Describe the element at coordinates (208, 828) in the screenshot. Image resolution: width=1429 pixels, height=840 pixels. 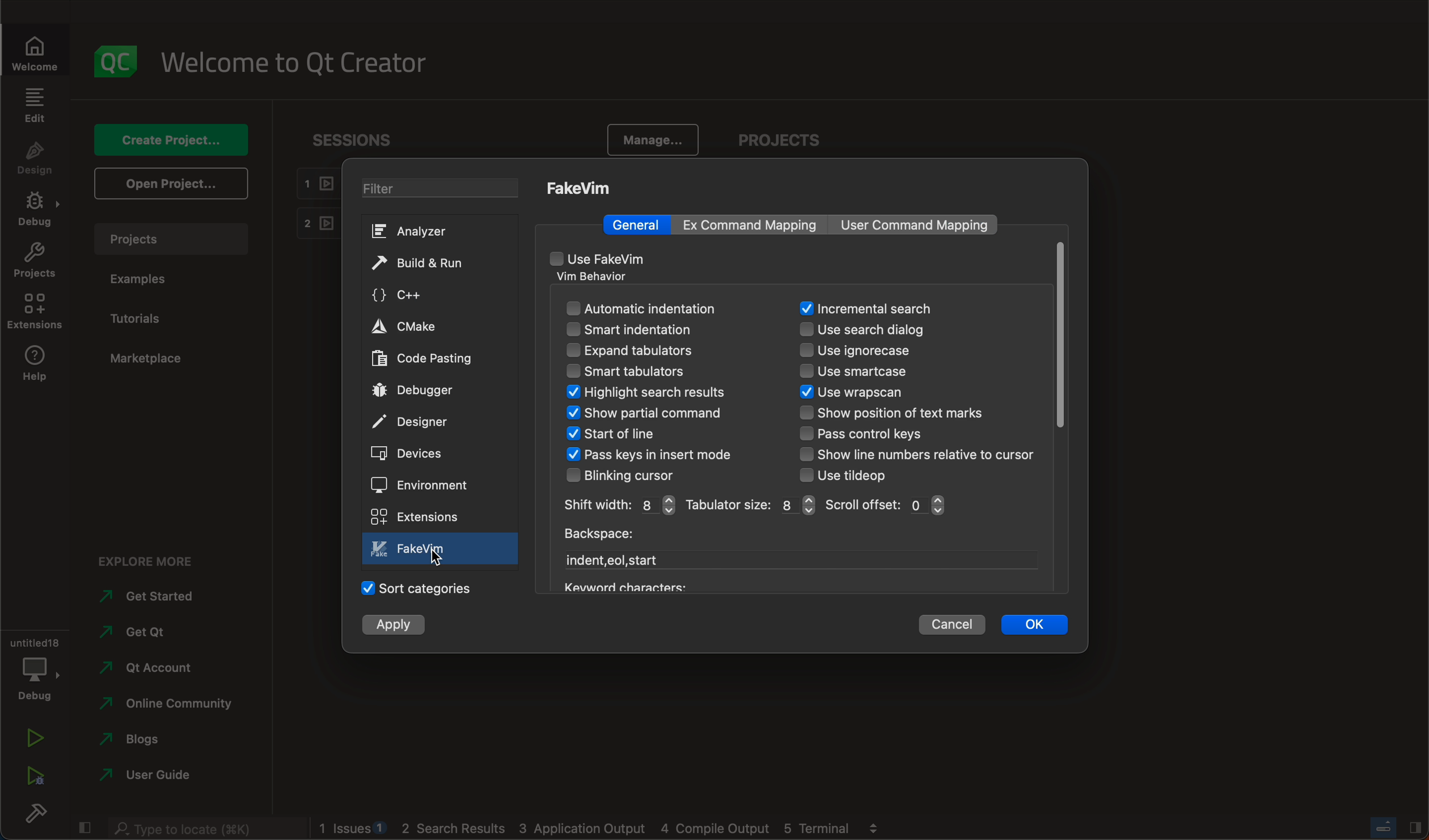
I see `search bar` at that location.